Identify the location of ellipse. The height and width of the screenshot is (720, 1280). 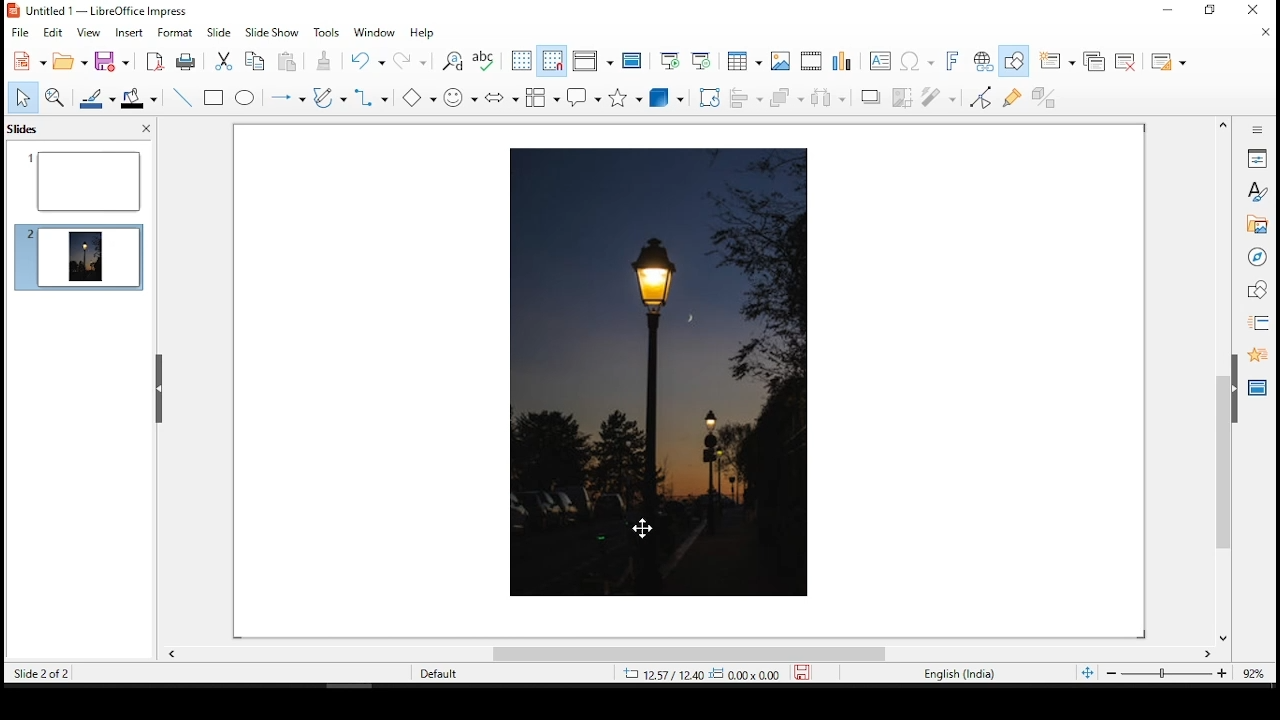
(246, 98).